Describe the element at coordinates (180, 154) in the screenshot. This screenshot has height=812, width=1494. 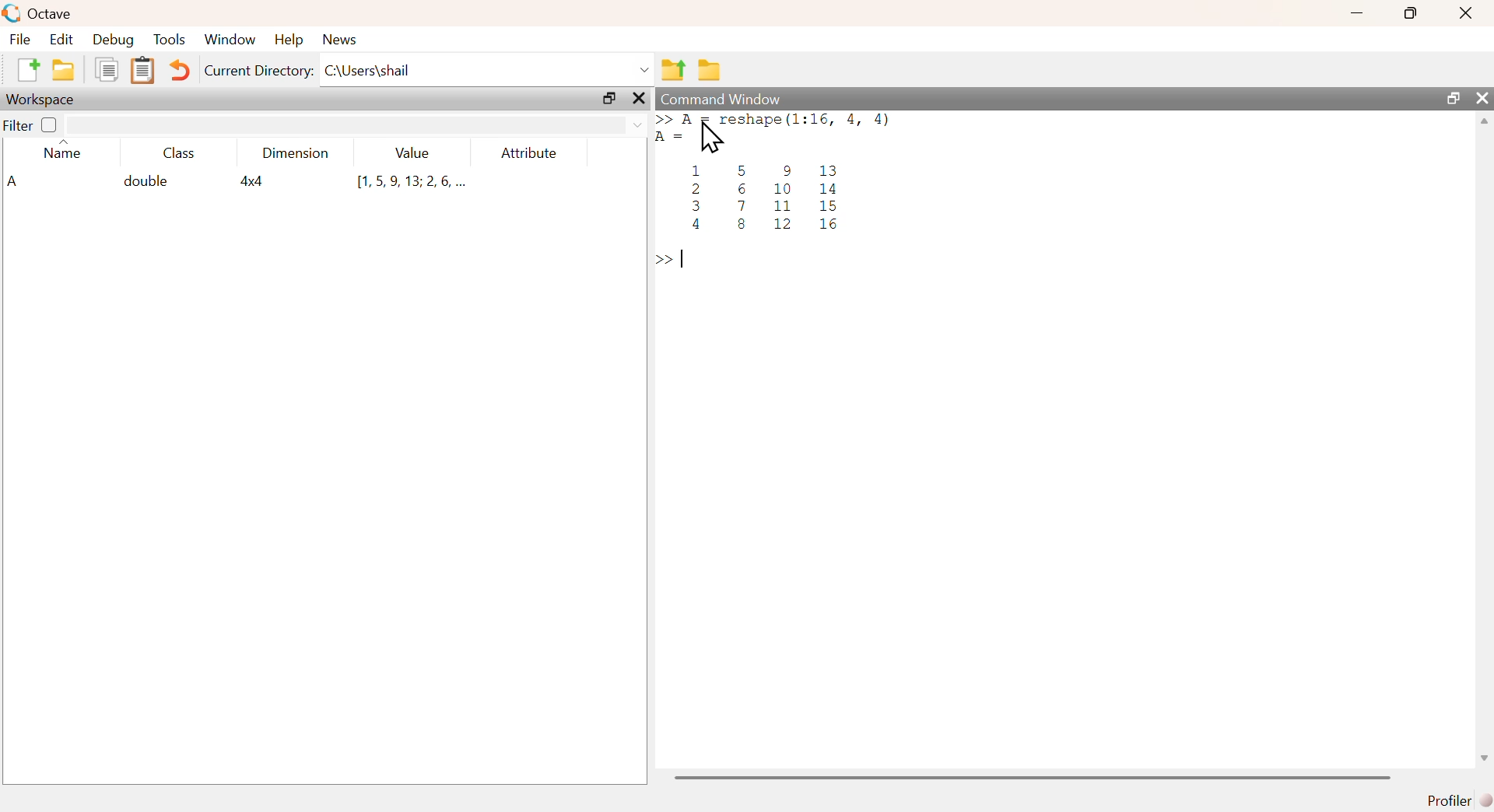
I see `class` at that location.